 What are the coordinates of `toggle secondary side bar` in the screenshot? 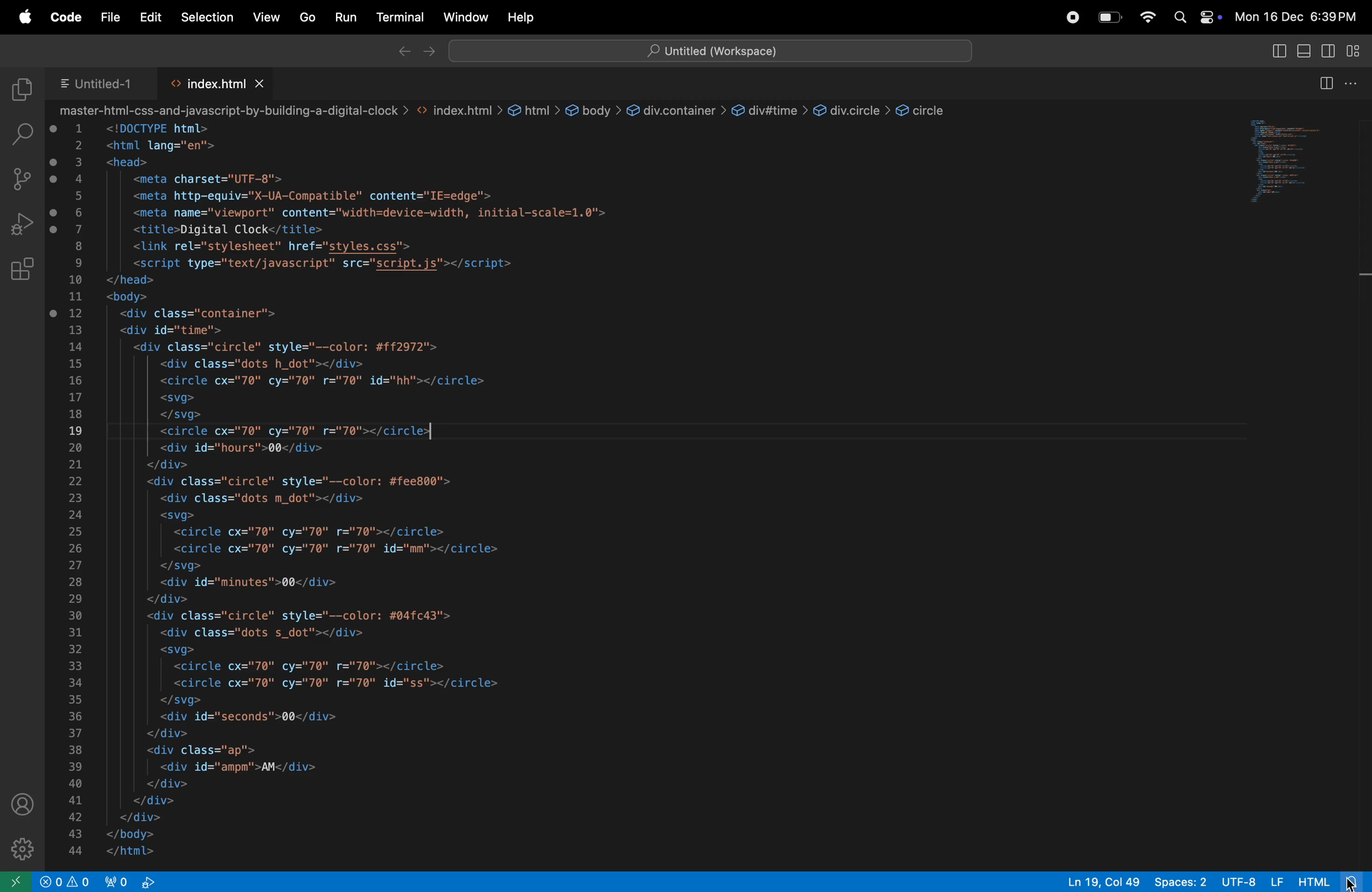 It's located at (1328, 50).